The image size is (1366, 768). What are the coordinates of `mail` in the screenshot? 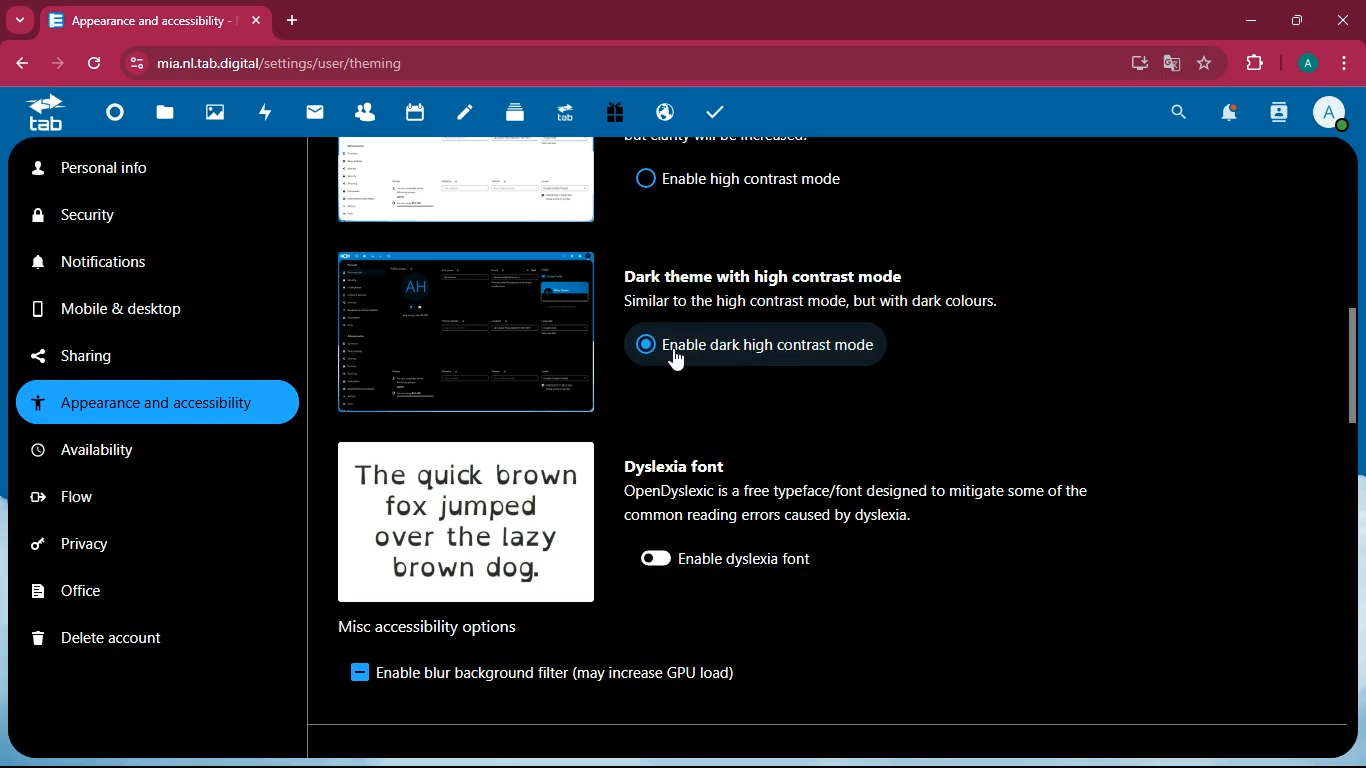 It's located at (320, 115).